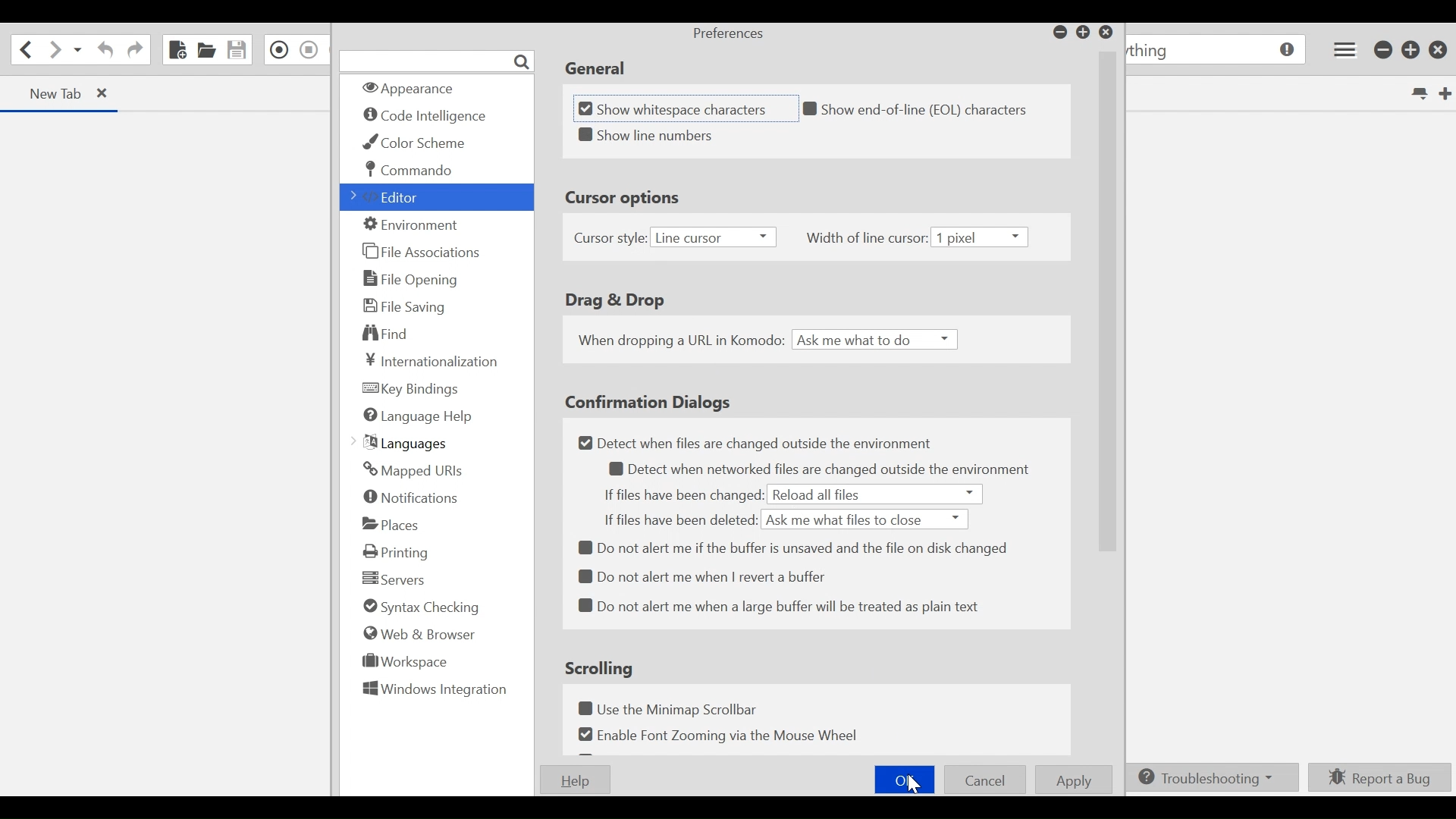  I want to click on Workspace, so click(407, 663).